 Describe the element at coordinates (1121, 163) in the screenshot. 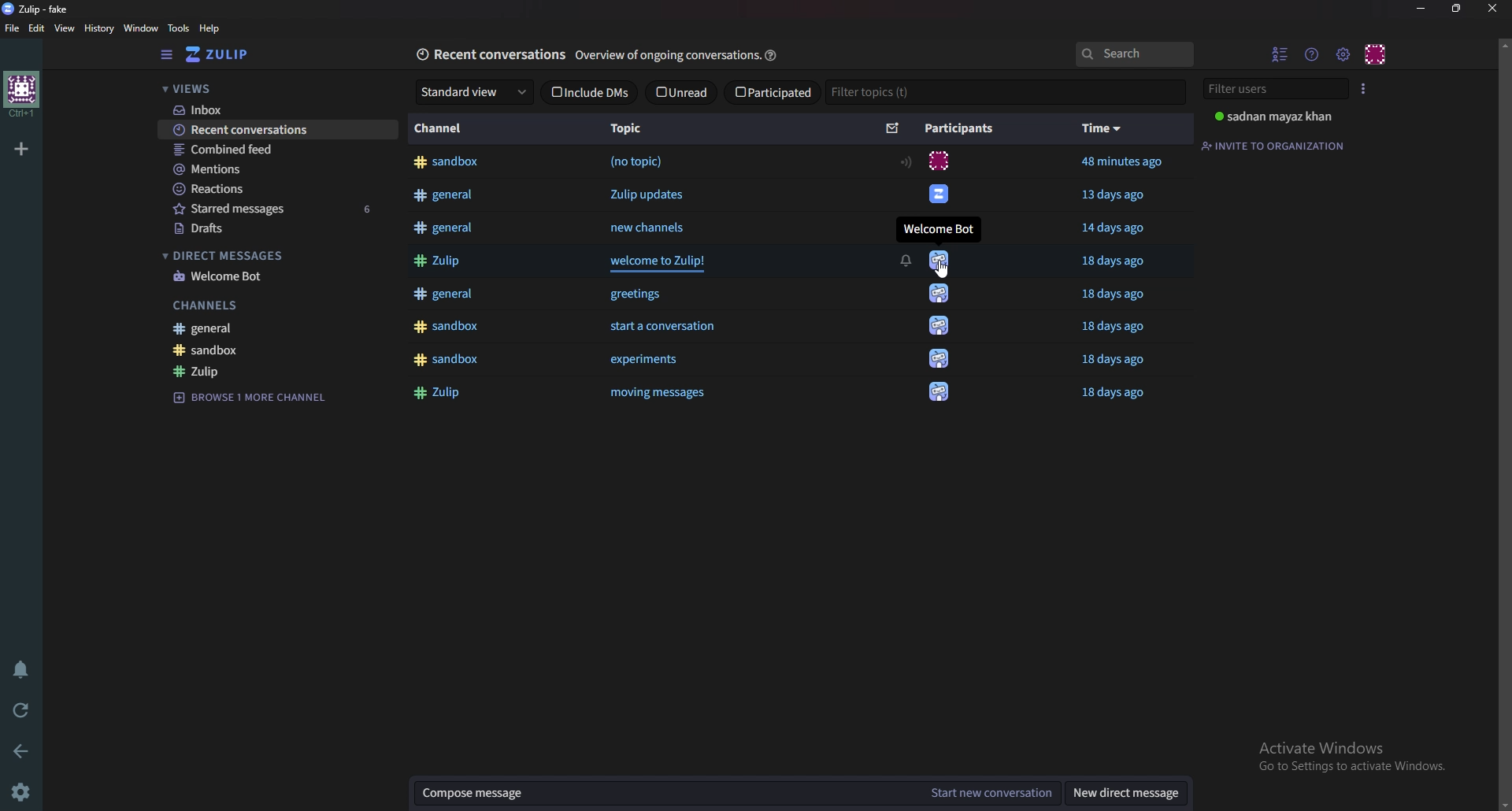

I see `` at that location.